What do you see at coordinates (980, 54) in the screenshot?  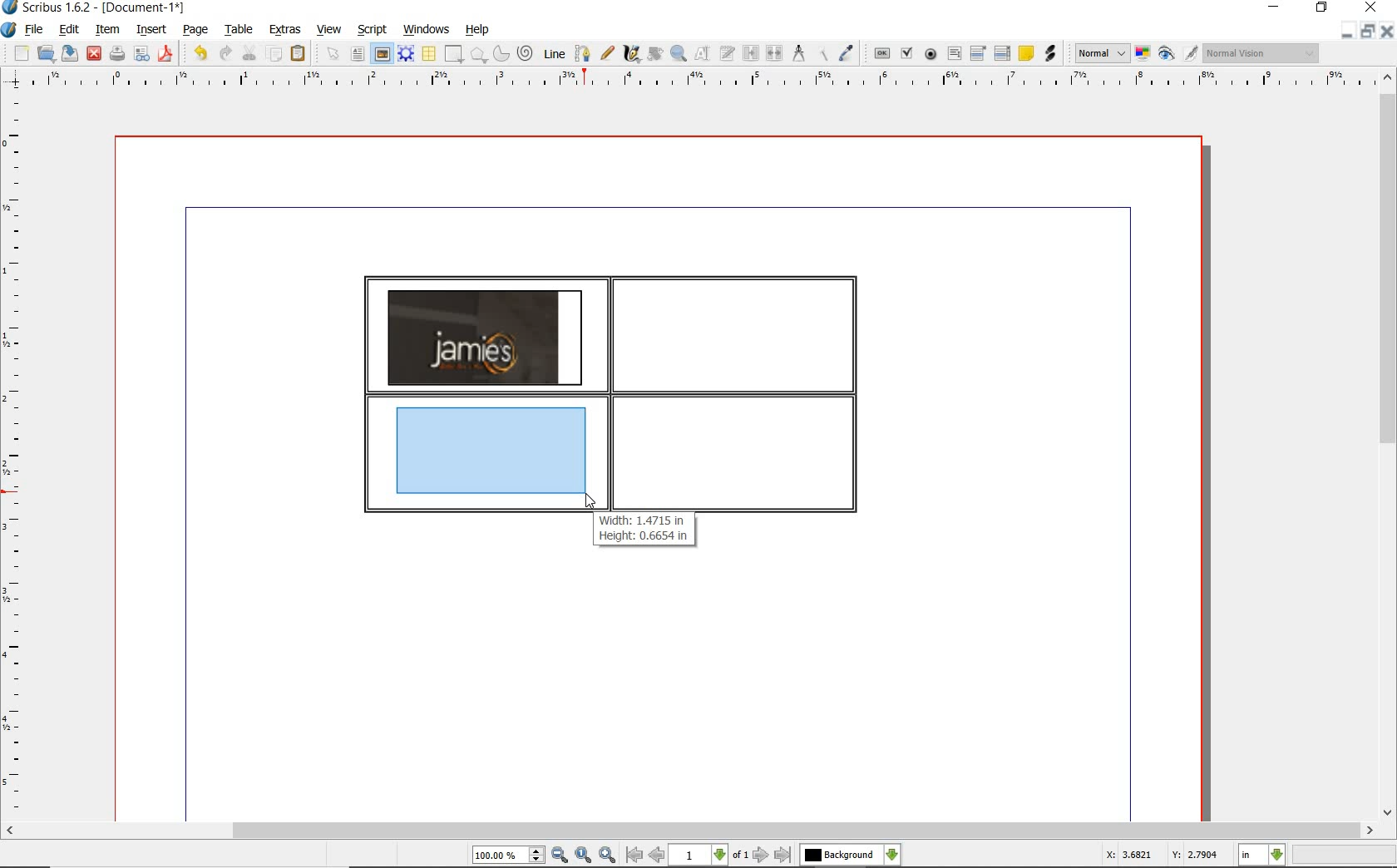 I see `pdf combo box` at bounding box center [980, 54].